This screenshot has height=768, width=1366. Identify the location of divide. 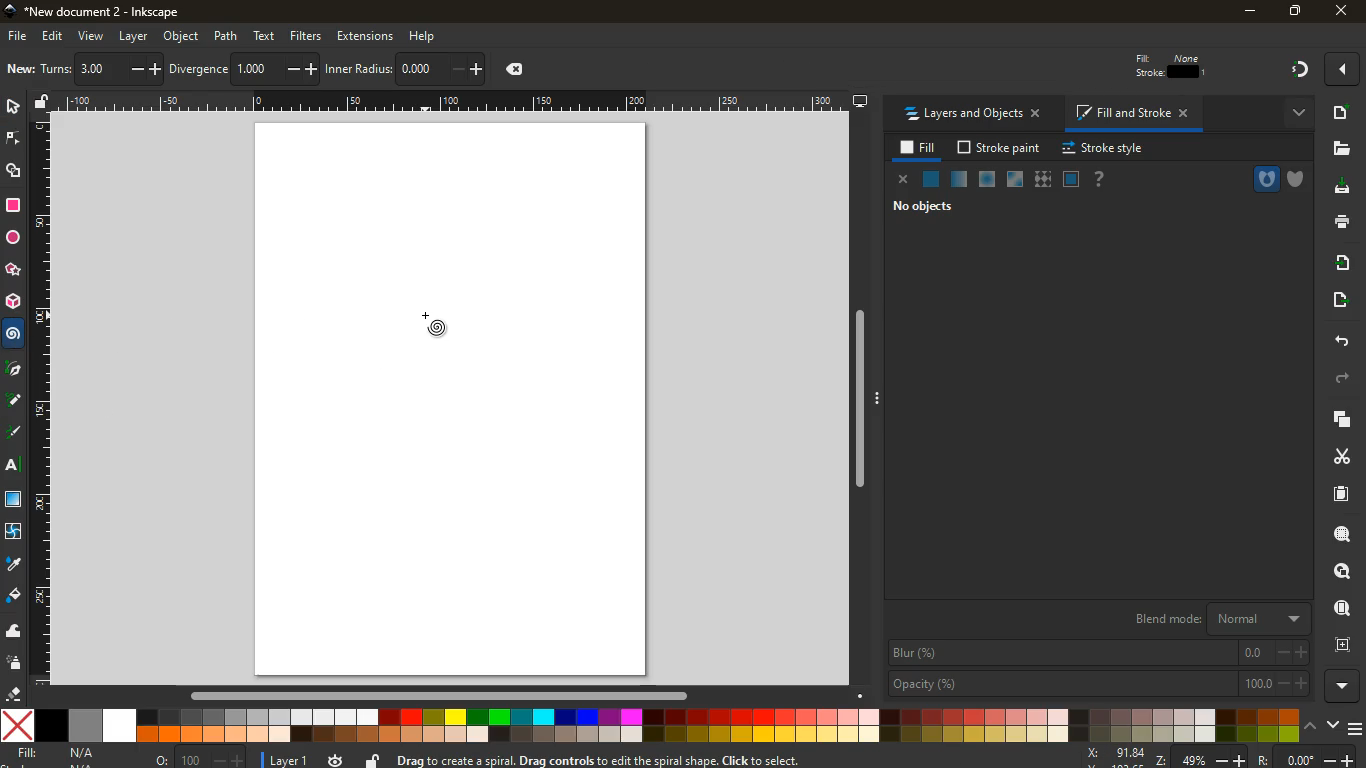
(283, 70).